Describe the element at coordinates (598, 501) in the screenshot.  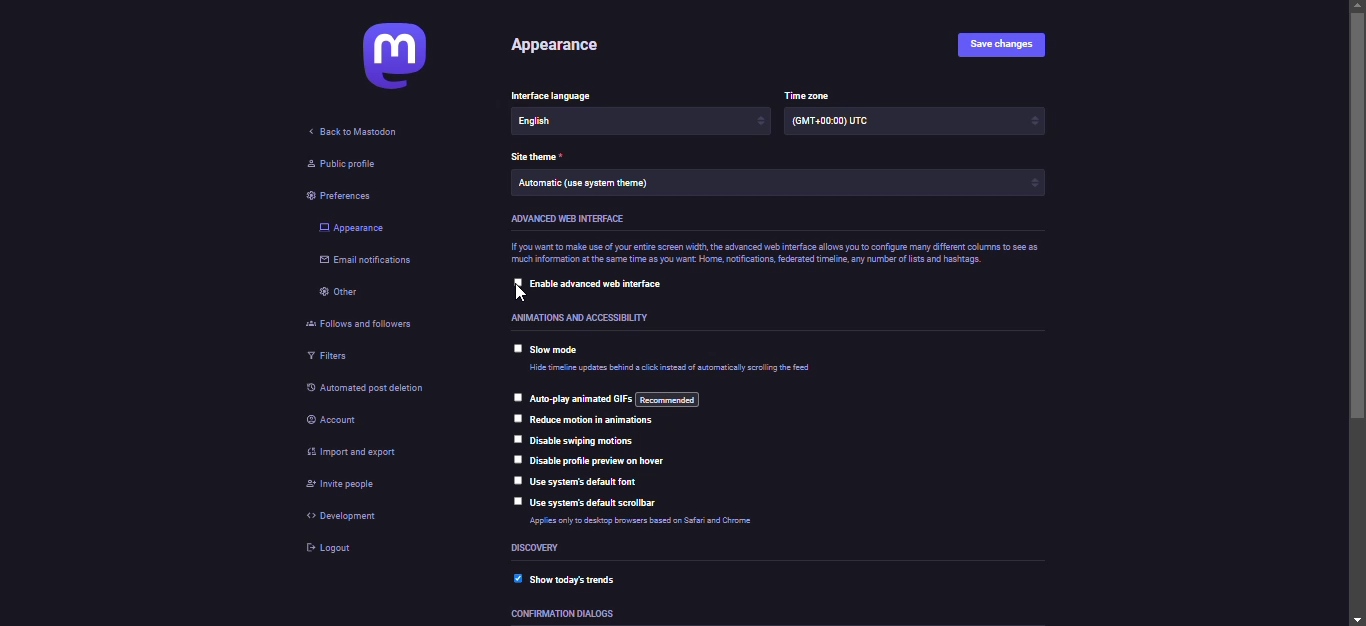
I see `use system's default scrollbar` at that location.